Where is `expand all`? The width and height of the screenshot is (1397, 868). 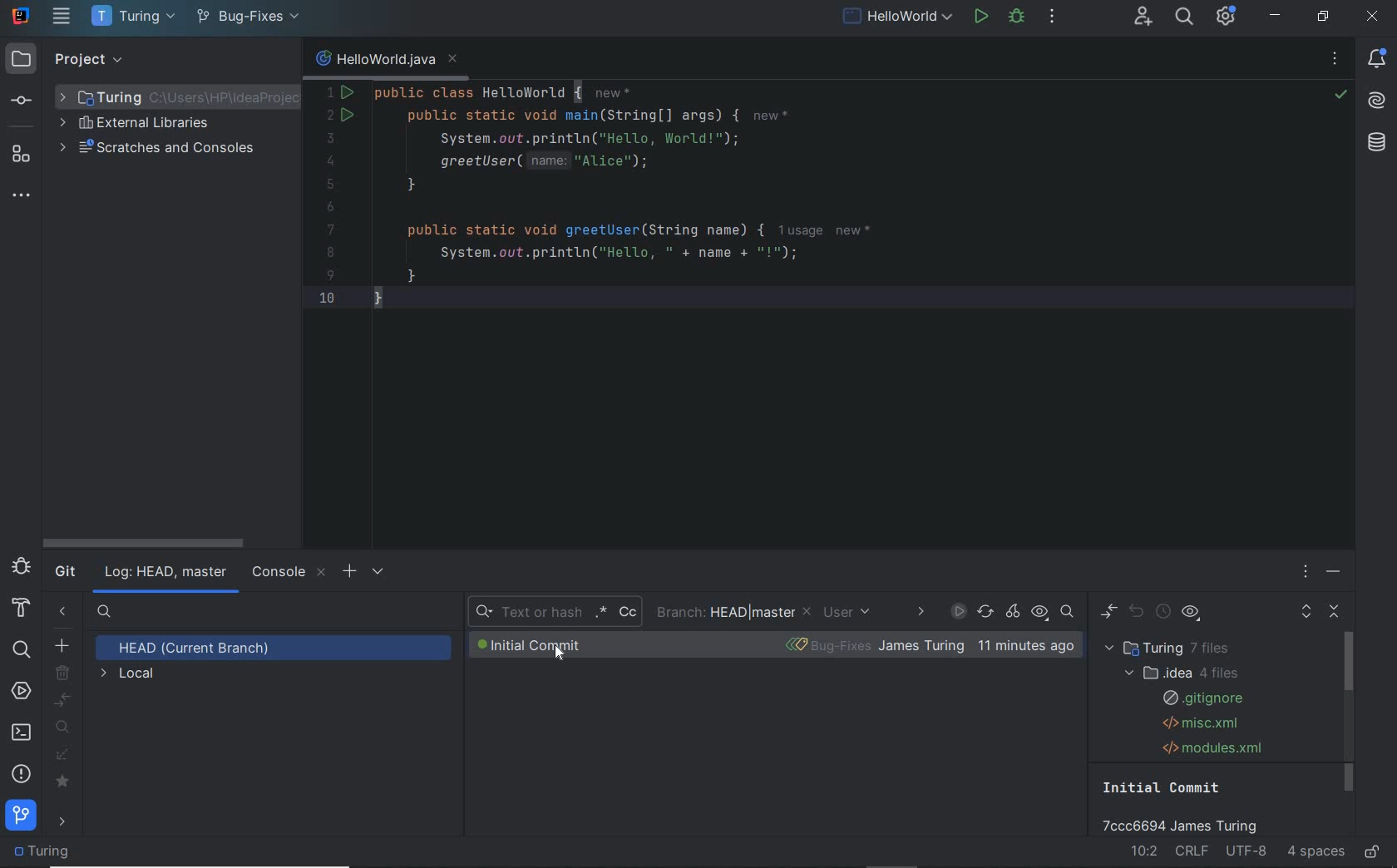
expand all is located at coordinates (1306, 614).